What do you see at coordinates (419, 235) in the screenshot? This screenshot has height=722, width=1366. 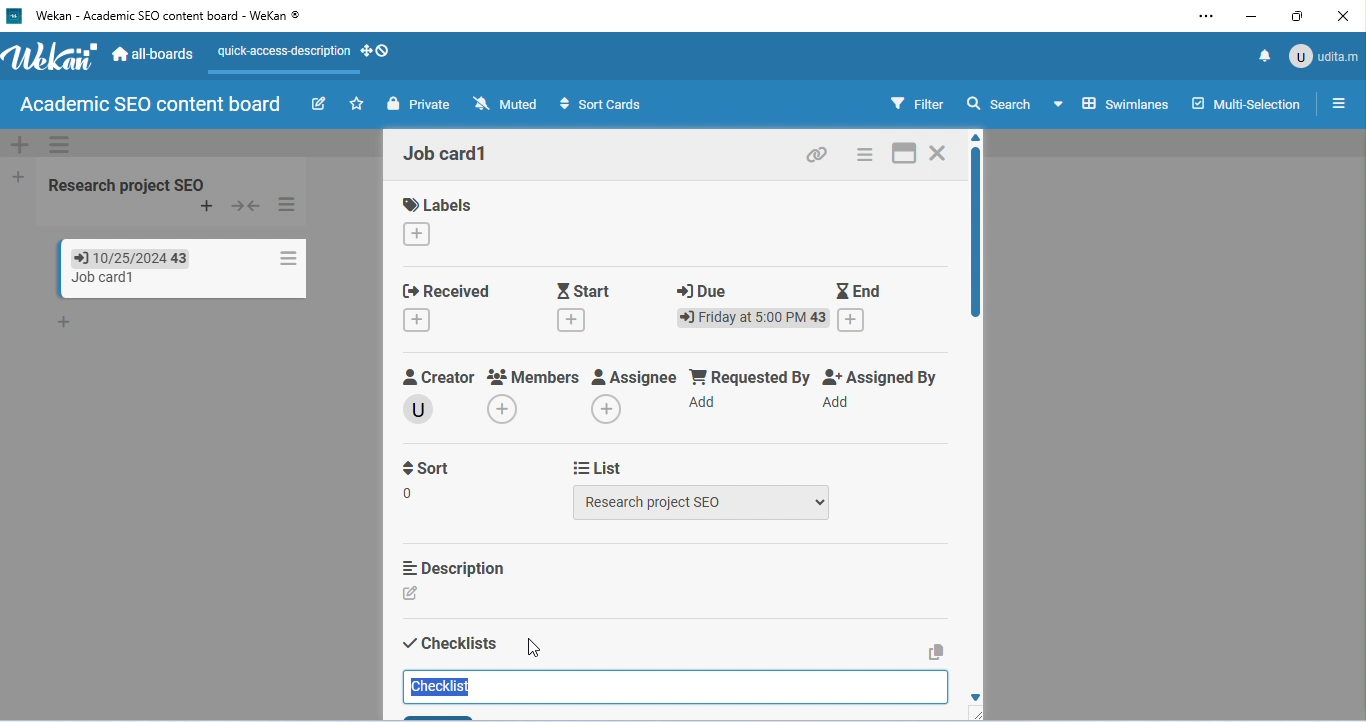 I see `change the labels` at bounding box center [419, 235].